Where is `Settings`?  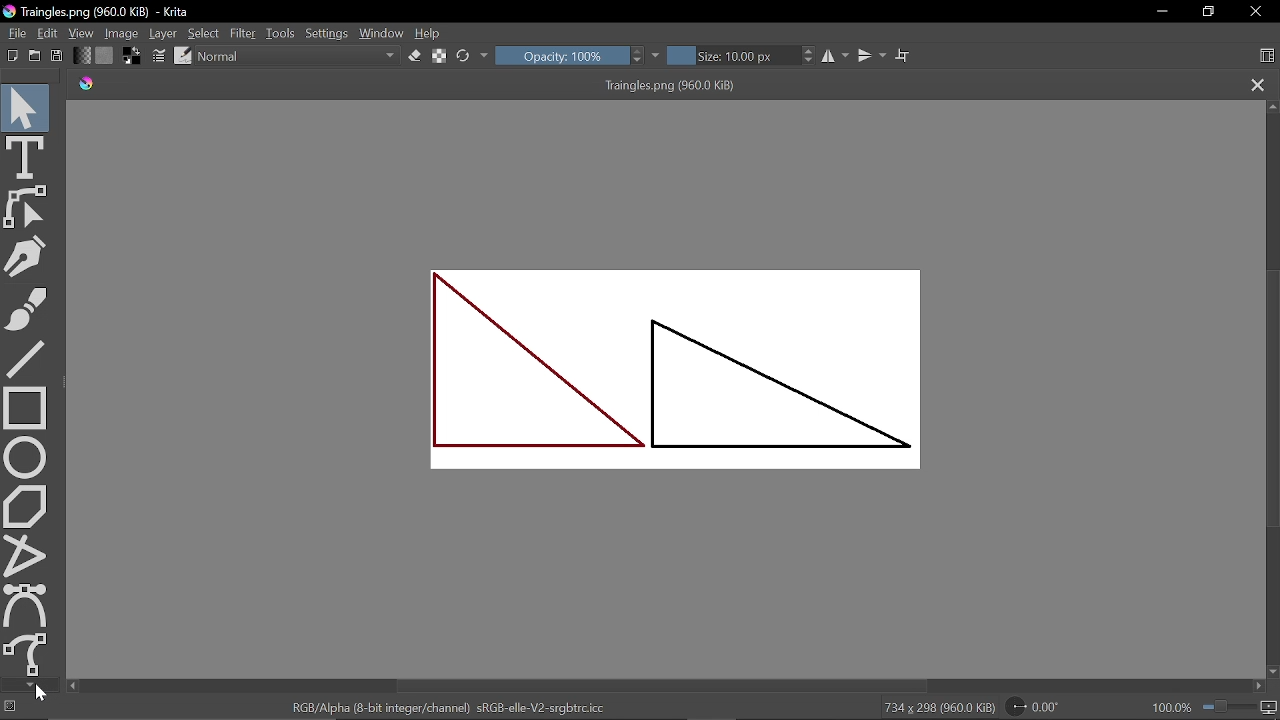
Settings is located at coordinates (327, 34).